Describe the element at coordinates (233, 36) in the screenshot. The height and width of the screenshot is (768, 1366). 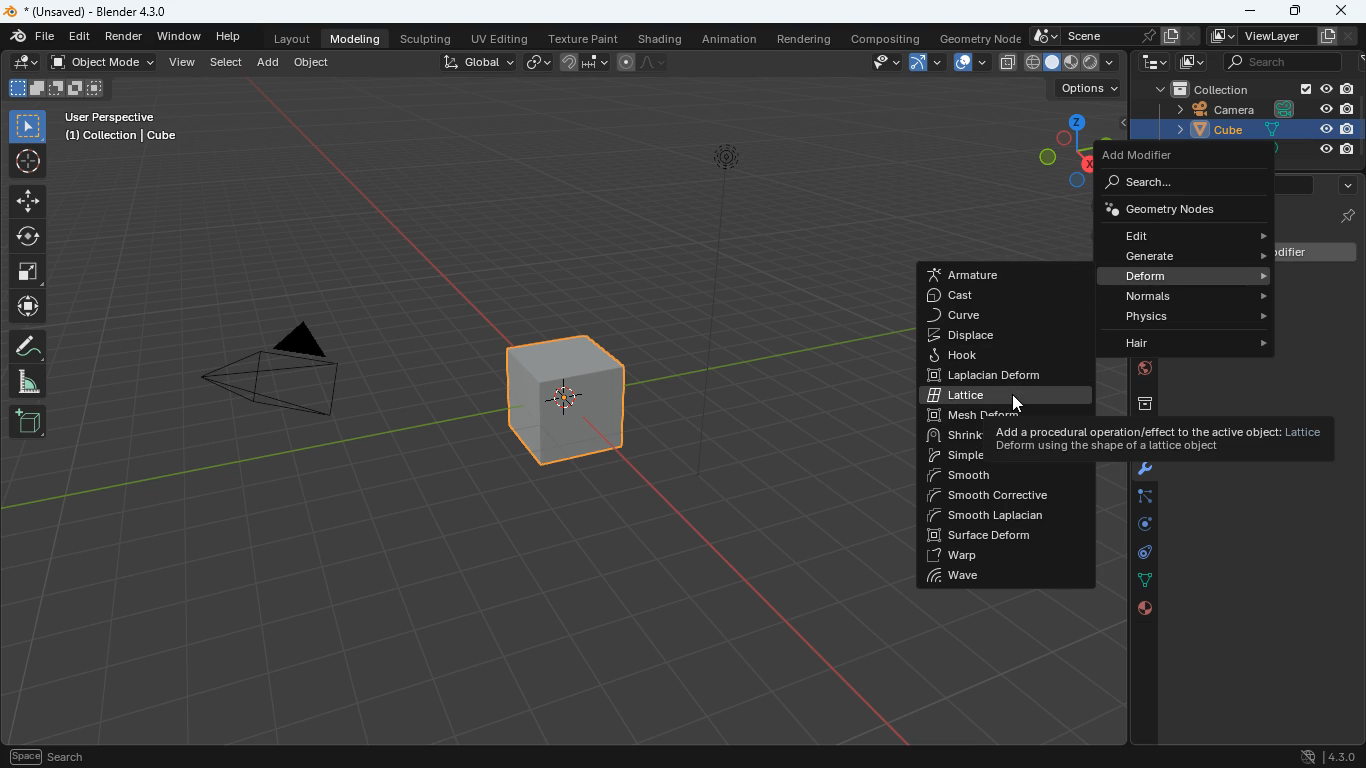
I see `help` at that location.